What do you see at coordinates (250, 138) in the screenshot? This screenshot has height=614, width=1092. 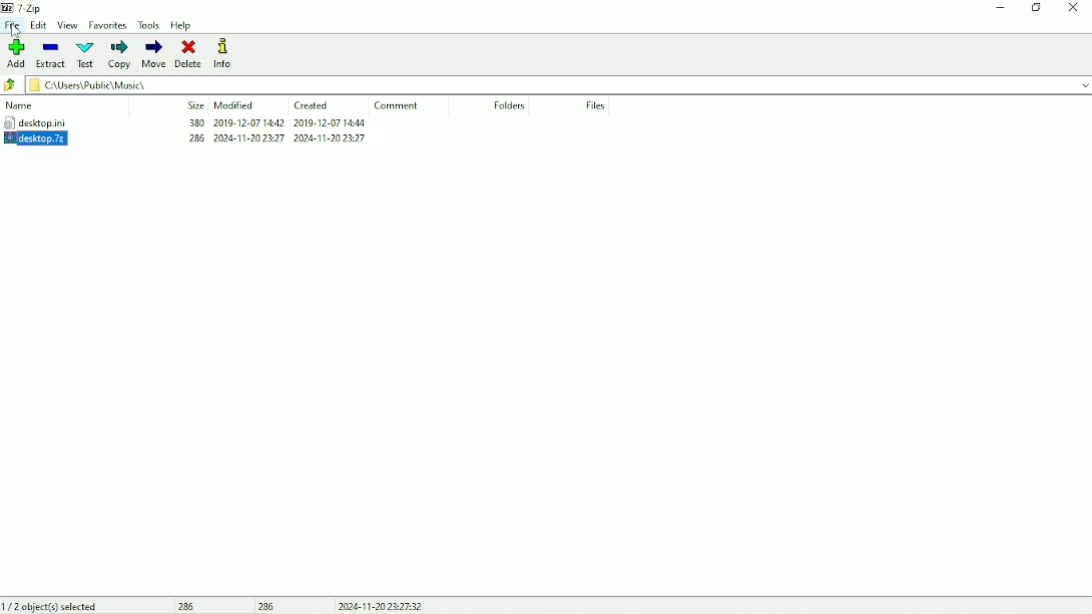 I see `modified date & time` at bounding box center [250, 138].